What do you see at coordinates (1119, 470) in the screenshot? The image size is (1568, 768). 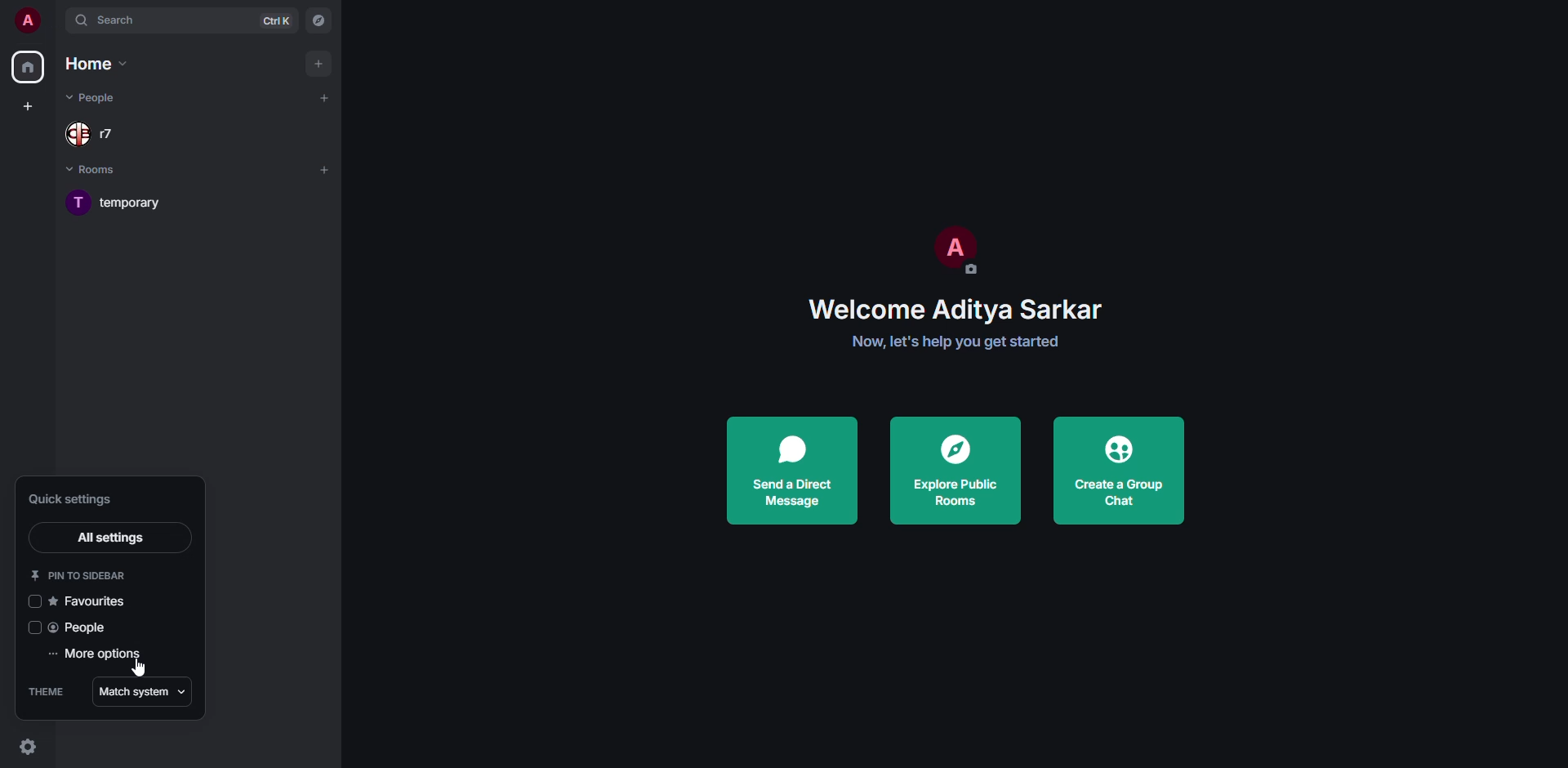 I see `create a group chat` at bounding box center [1119, 470].